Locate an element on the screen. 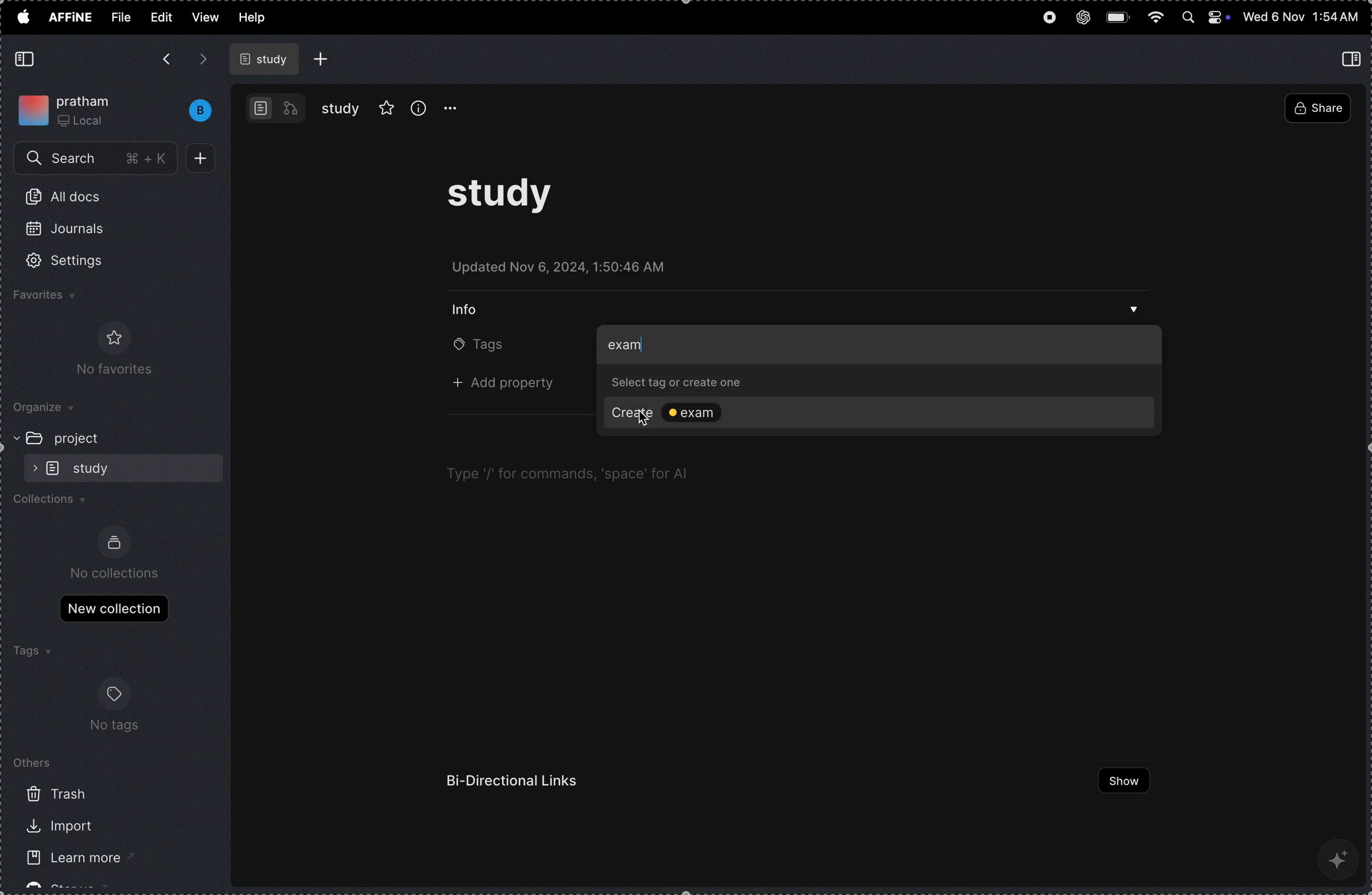 The image size is (1372, 895). help is located at coordinates (258, 18).